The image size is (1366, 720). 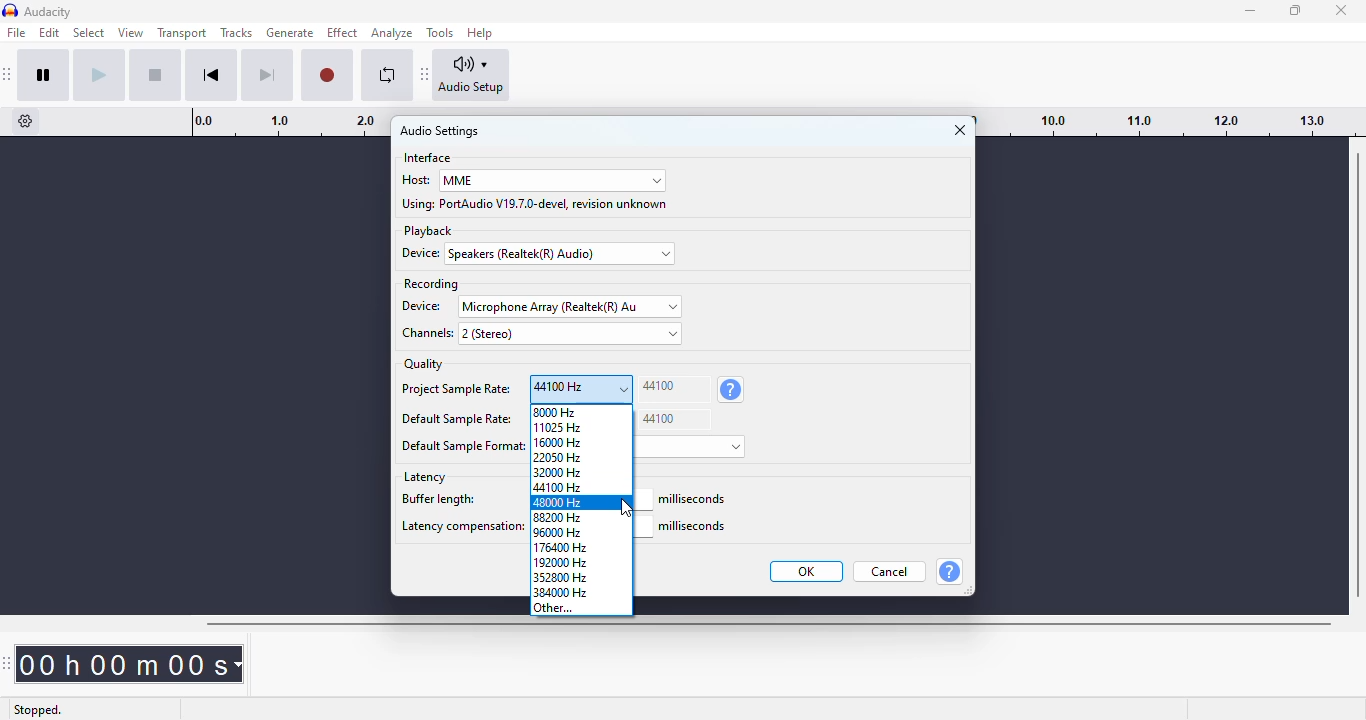 I want to click on 32000 Hz, so click(x=580, y=471).